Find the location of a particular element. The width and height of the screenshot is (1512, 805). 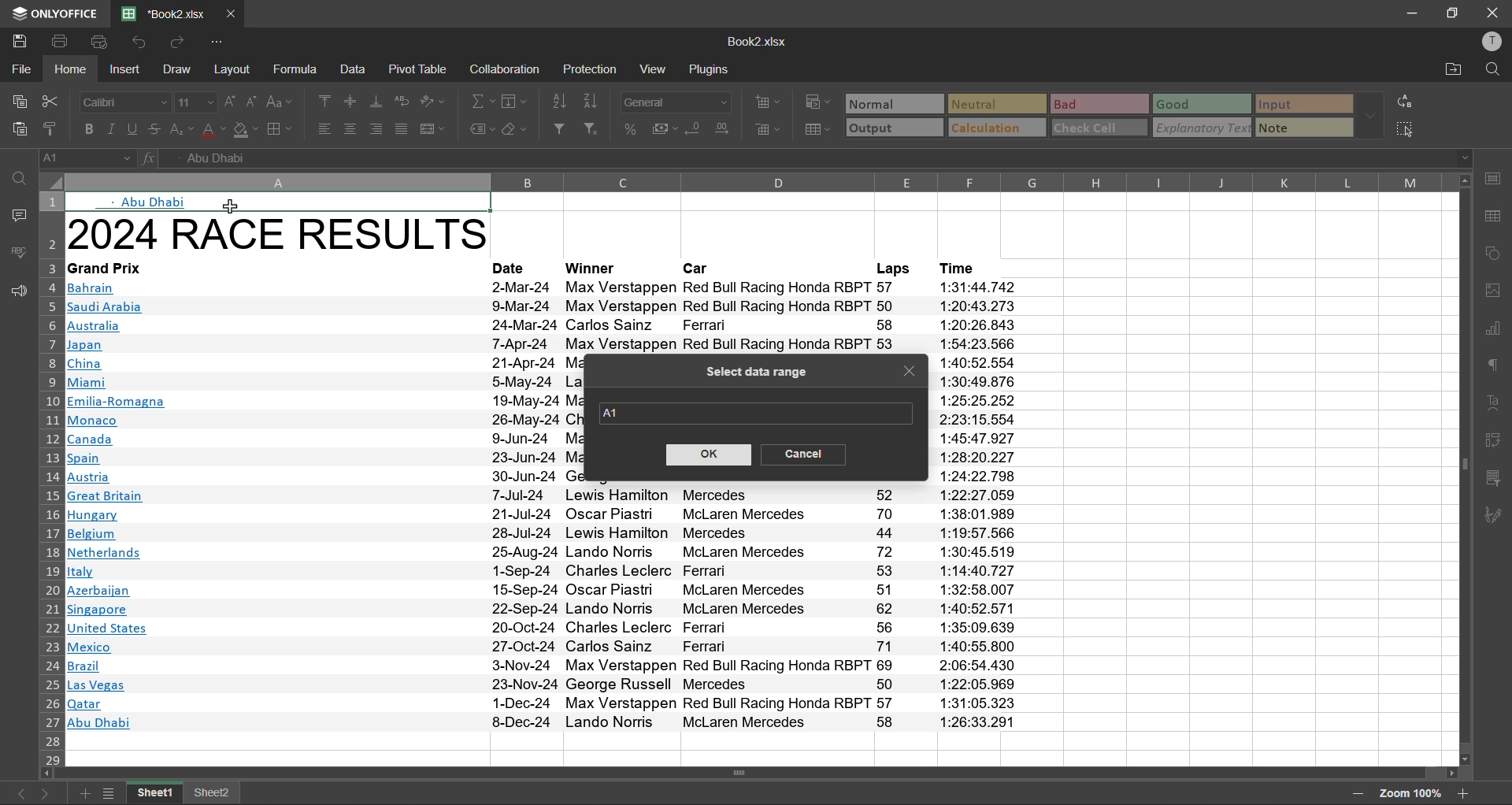

row numbers is located at coordinates (50, 479).